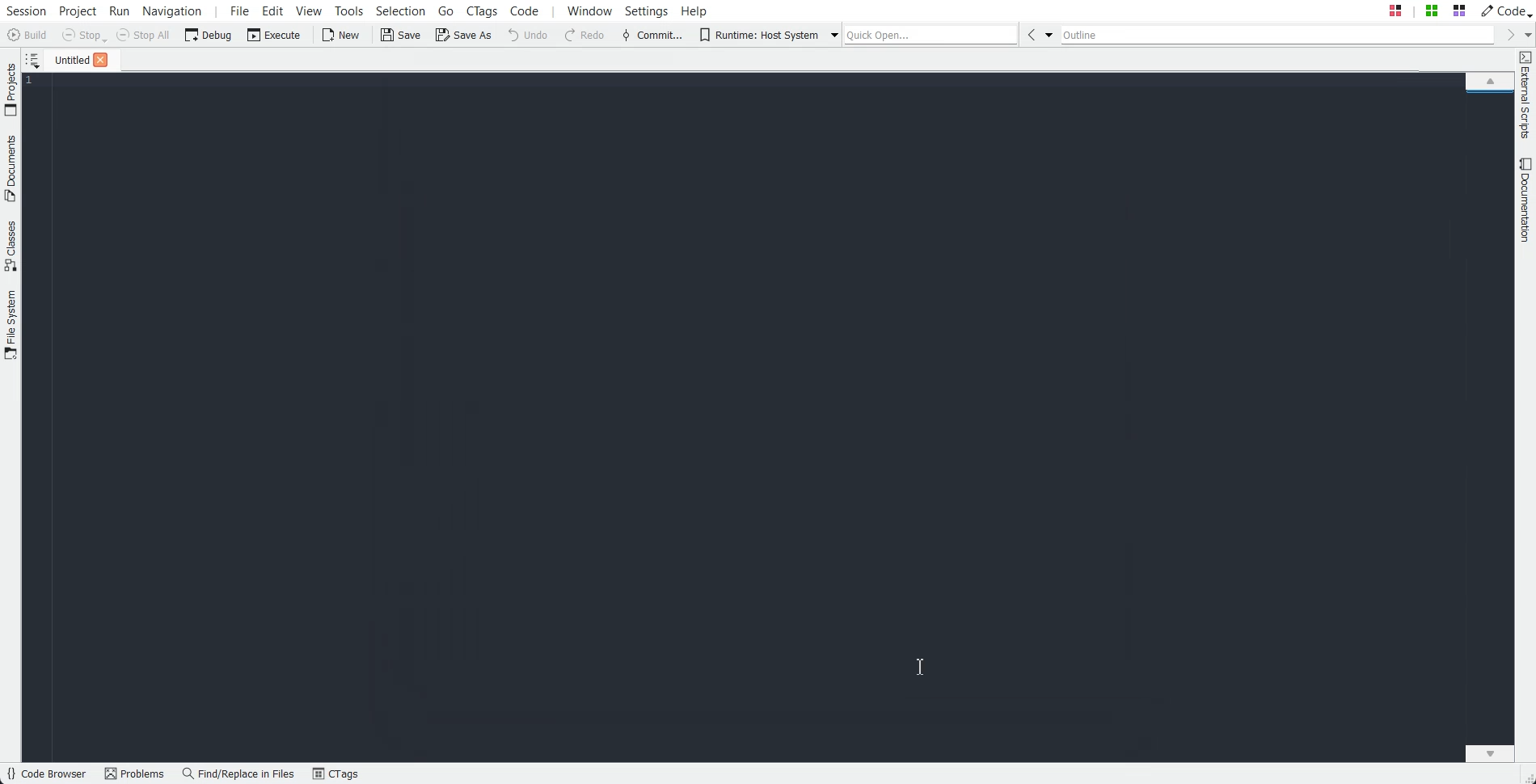  I want to click on Tools, so click(350, 11).